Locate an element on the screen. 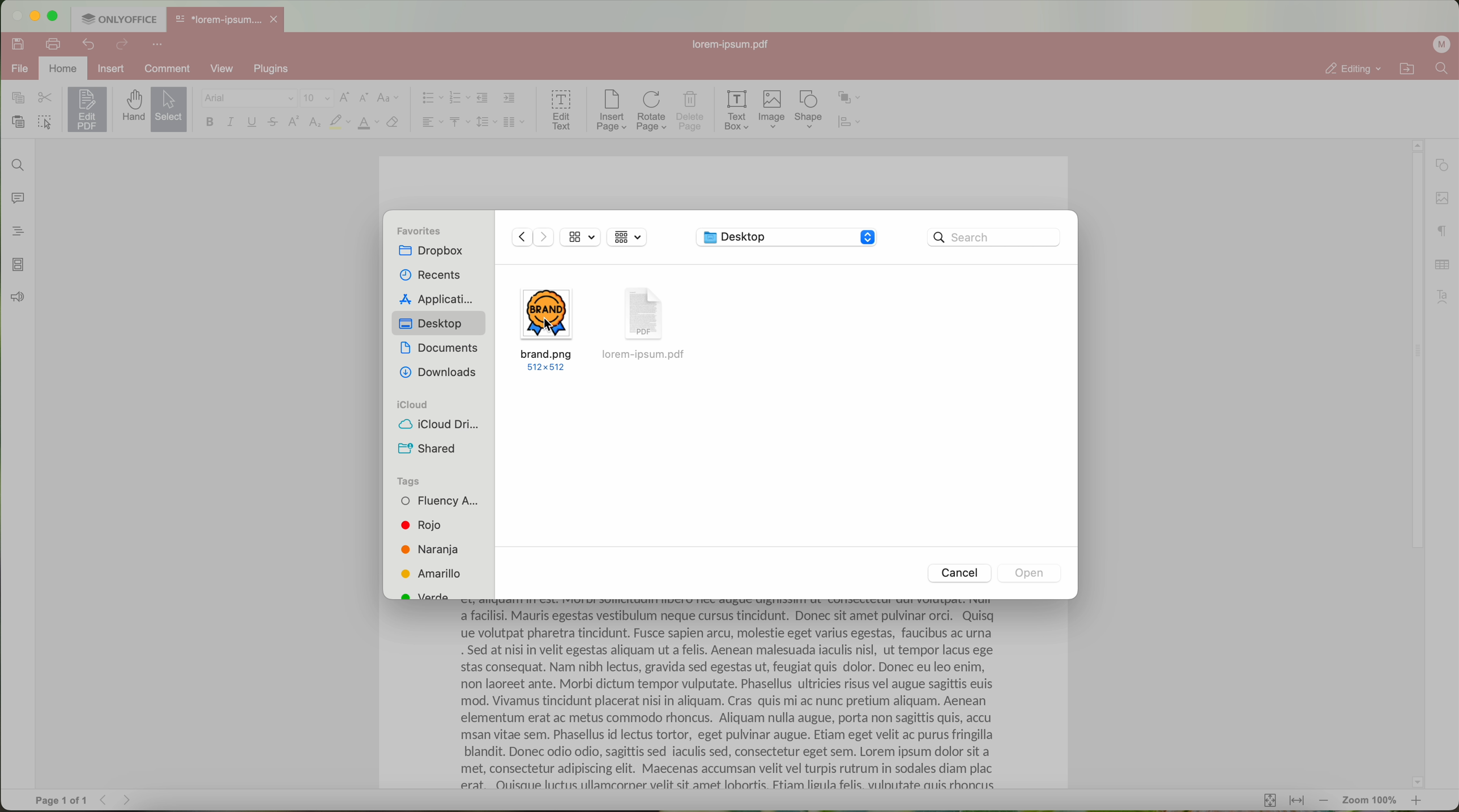 Image resolution: width=1459 pixels, height=812 pixels. documents is located at coordinates (438, 348).